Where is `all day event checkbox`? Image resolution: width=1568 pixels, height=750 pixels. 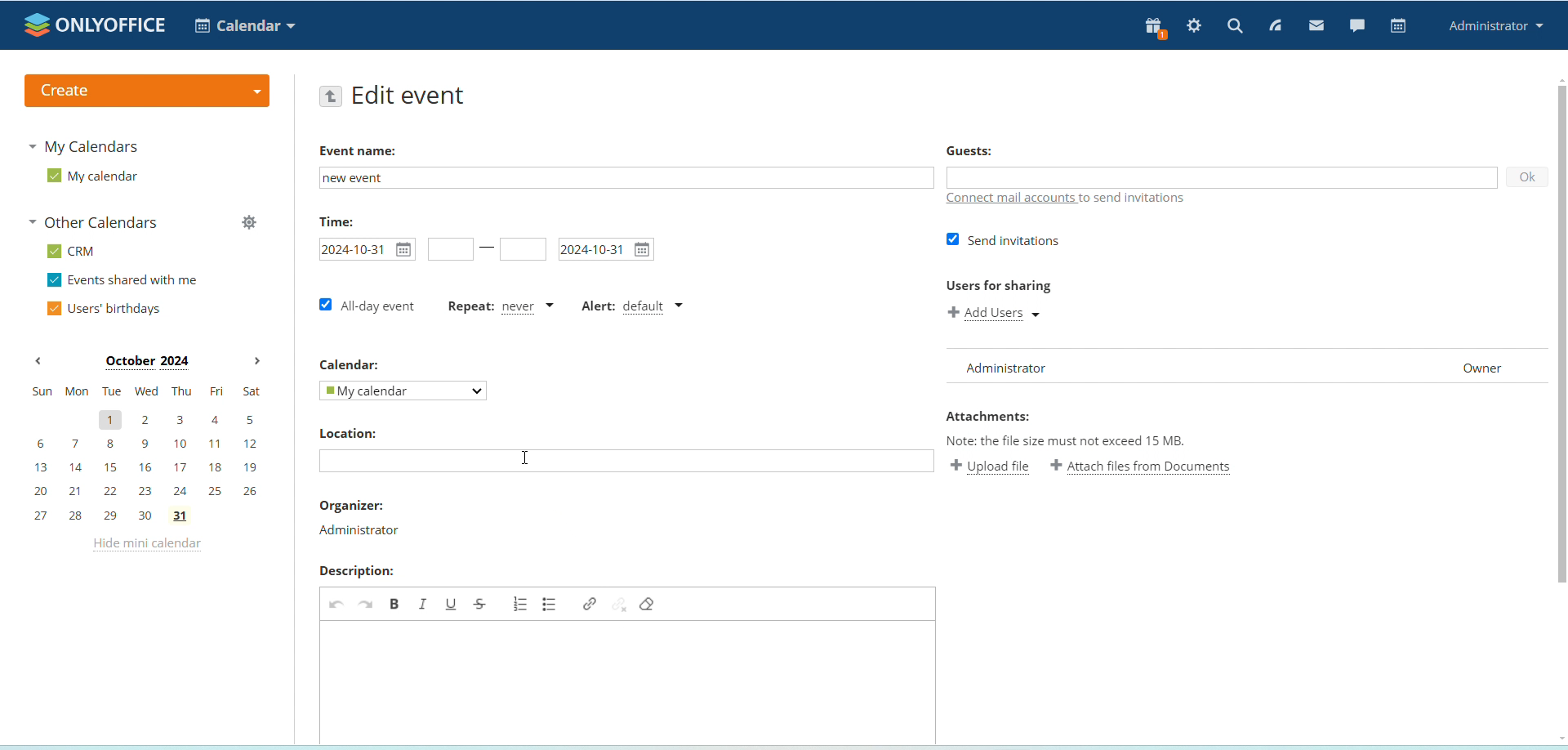 all day event checkbox is located at coordinates (365, 305).